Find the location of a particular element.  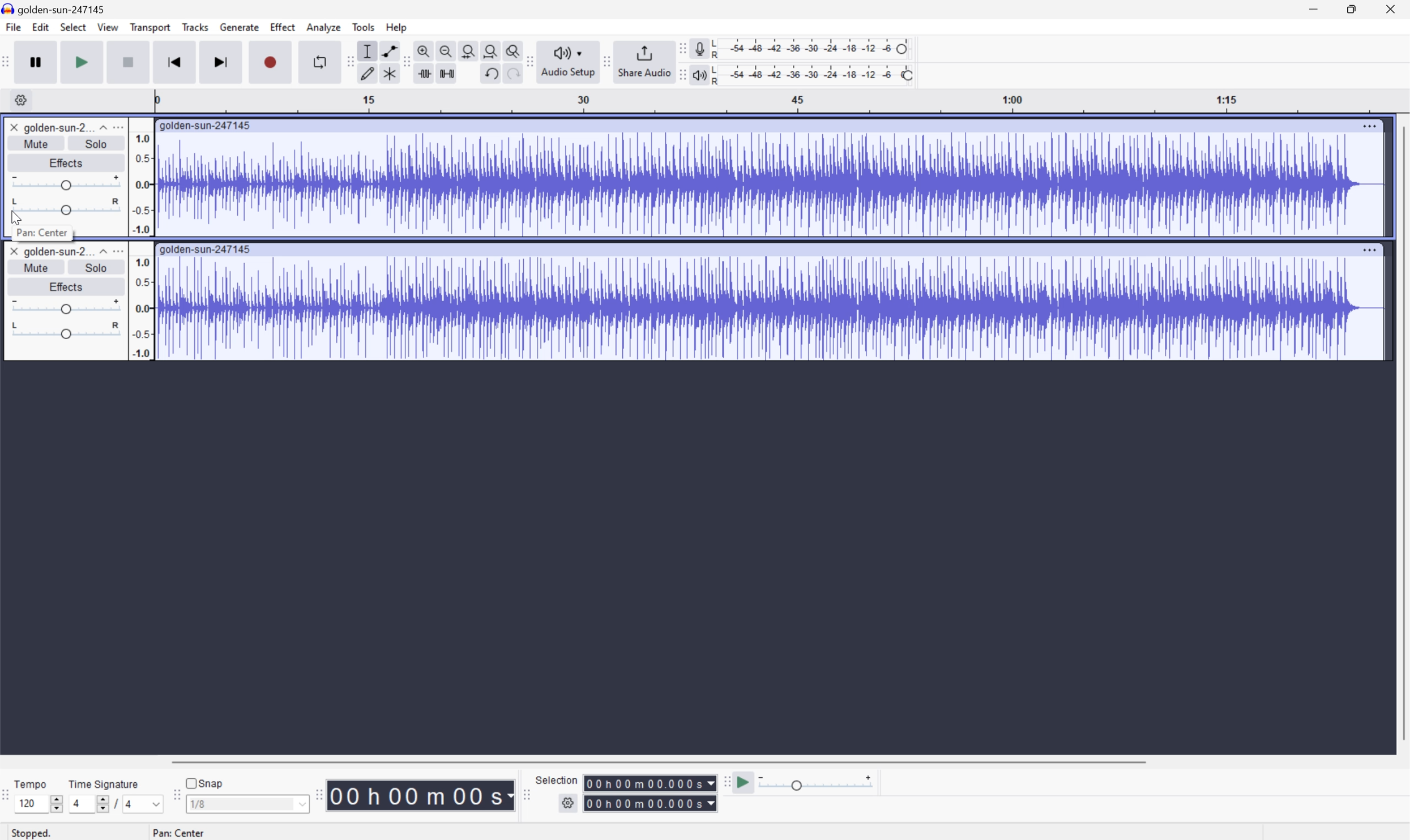

Scroll Bar is located at coordinates (661, 761).